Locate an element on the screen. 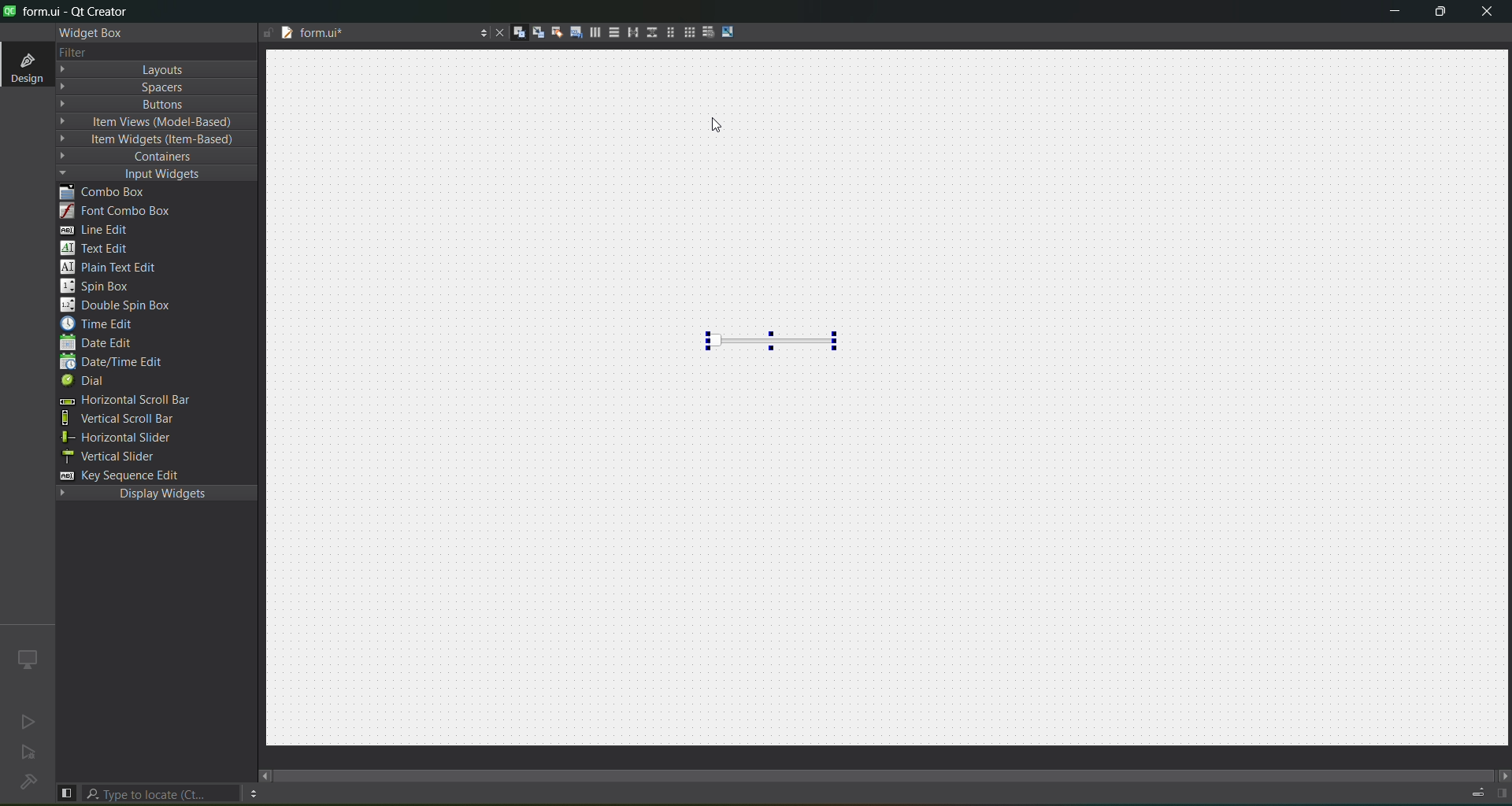  maximize is located at coordinates (1443, 16).